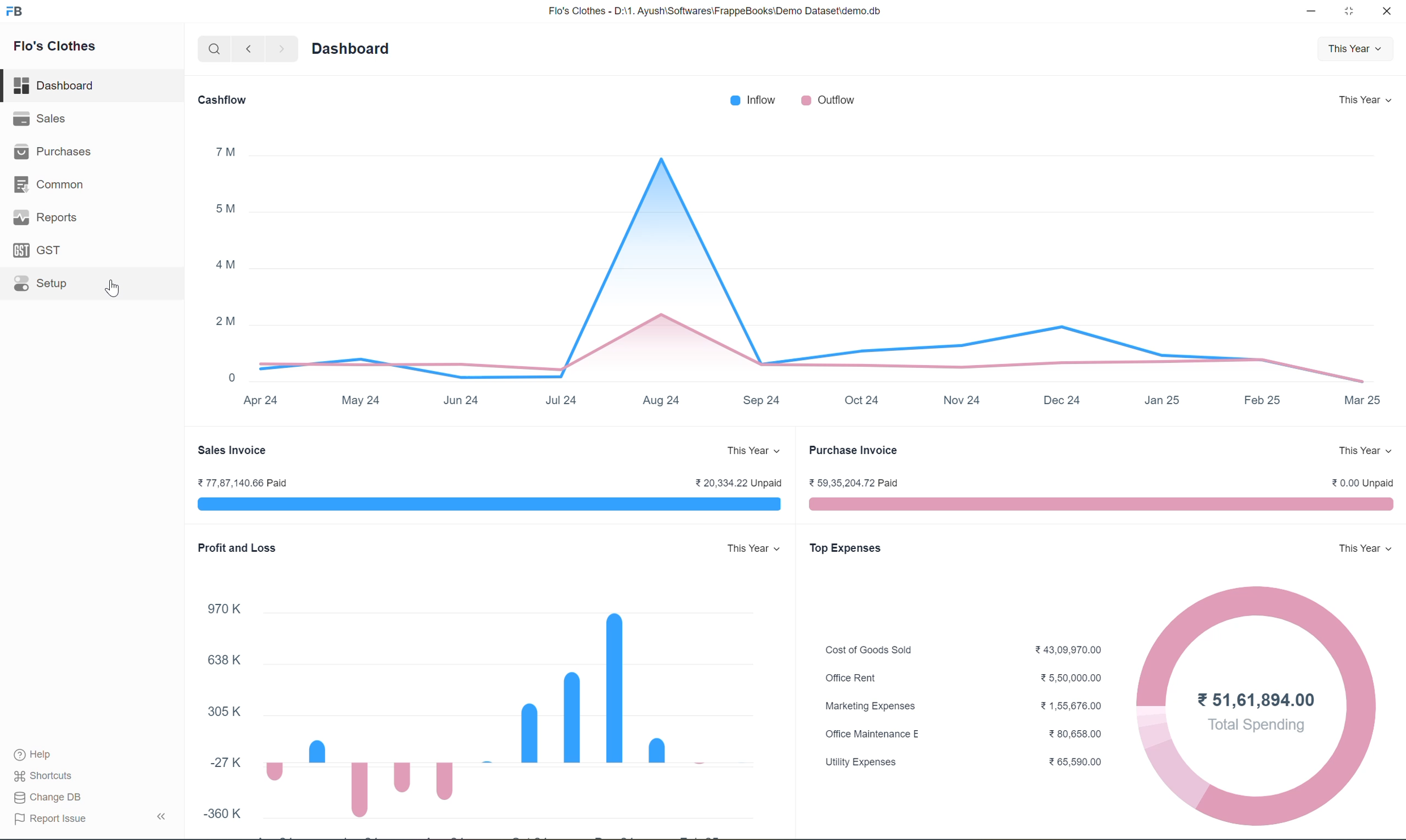  I want to click on Profit and Loss, so click(237, 549).